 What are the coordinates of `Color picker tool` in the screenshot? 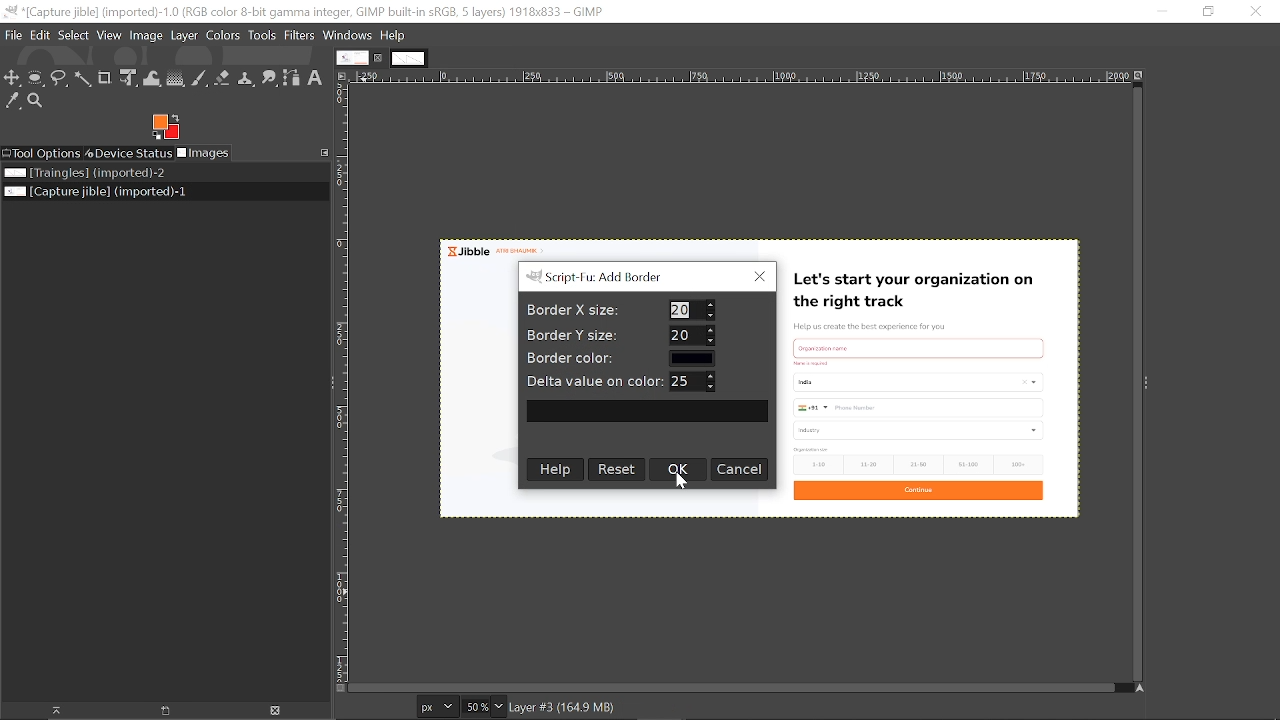 It's located at (13, 102).